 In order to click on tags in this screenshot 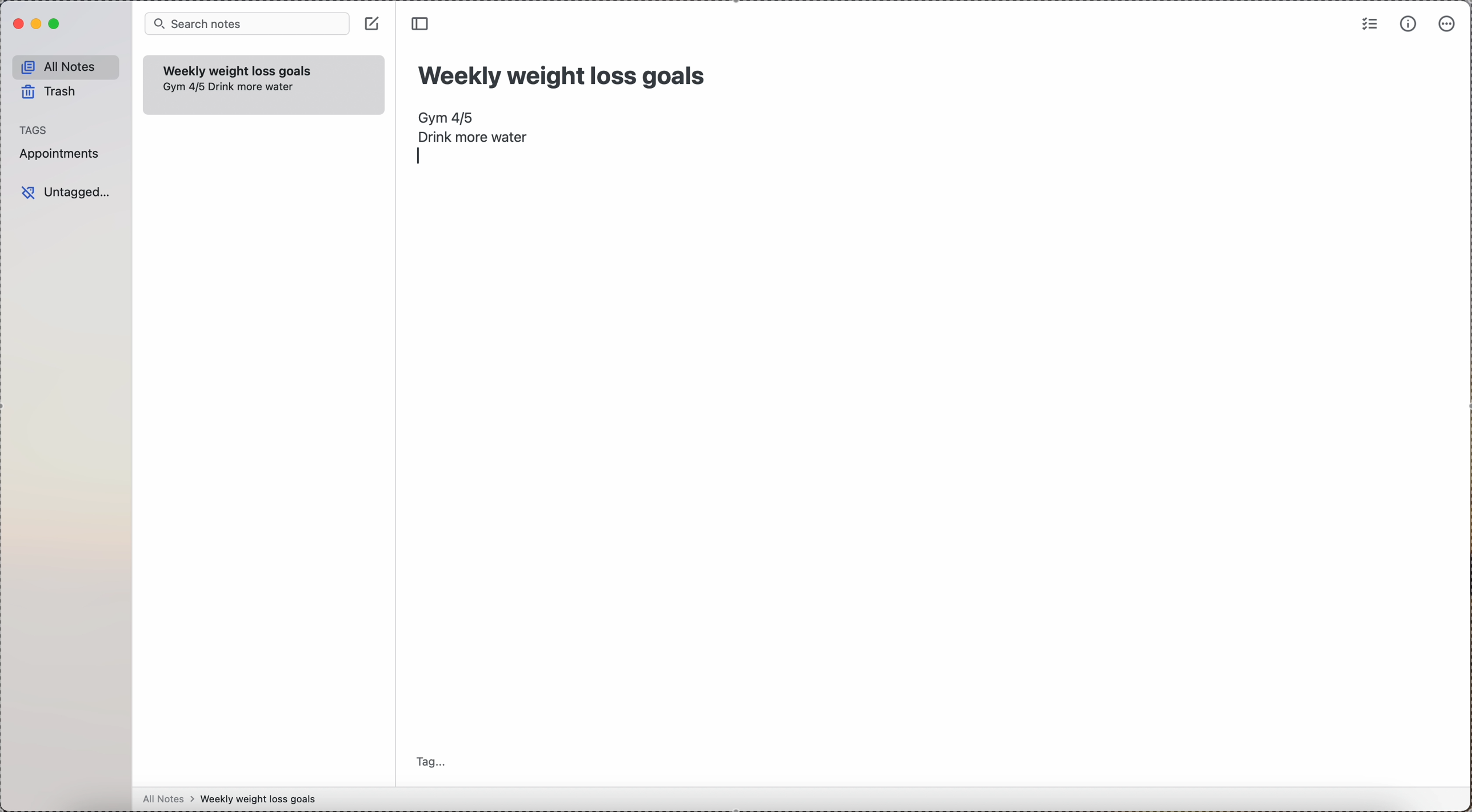, I will do `click(35, 130)`.